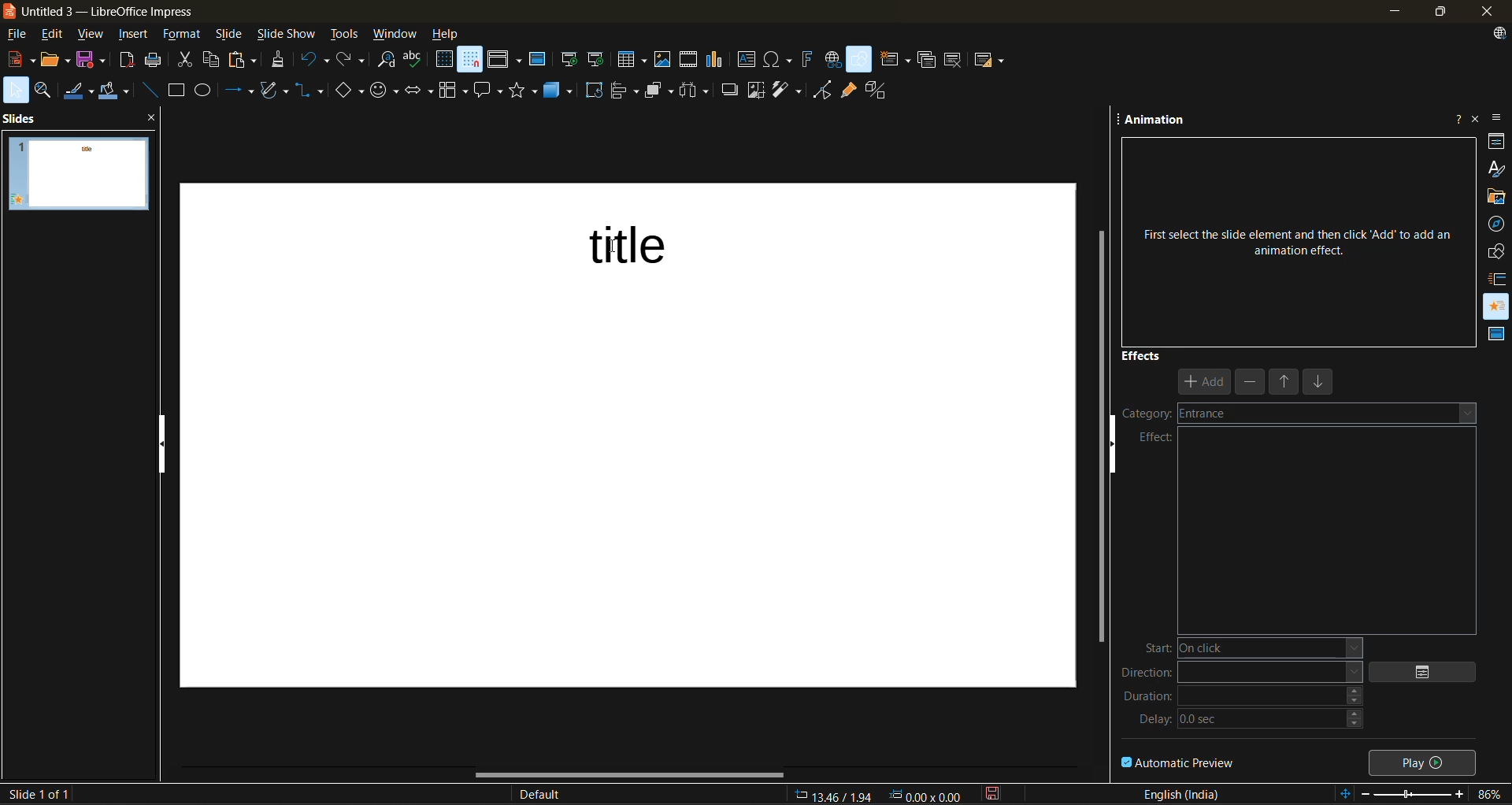  Describe the element at coordinates (165, 443) in the screenshot. I see `hide` at that location.